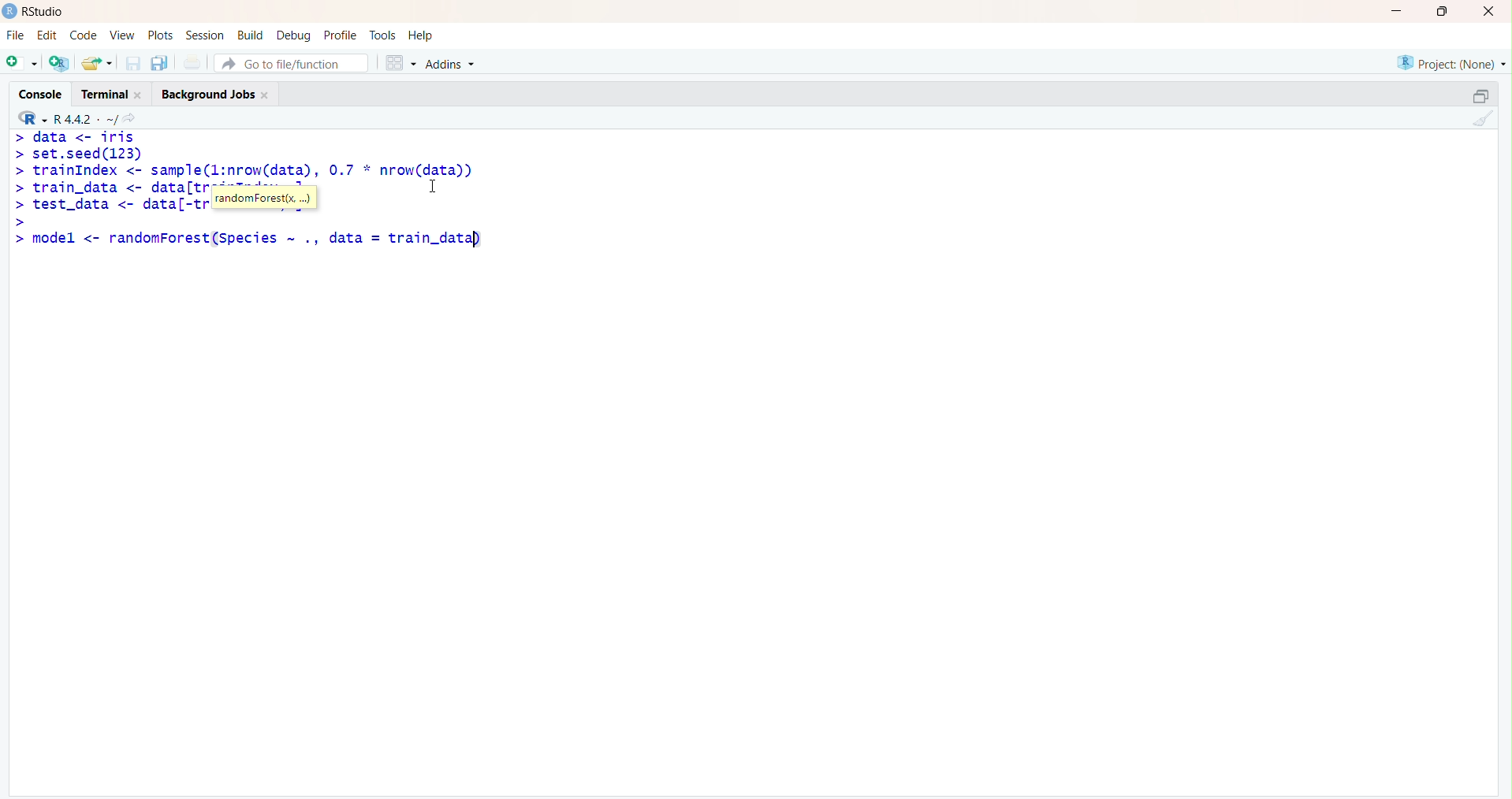  What do you see at coordinates (382, 34) in the screenshot?
I see `Tools` at bounding box center [382, 34].